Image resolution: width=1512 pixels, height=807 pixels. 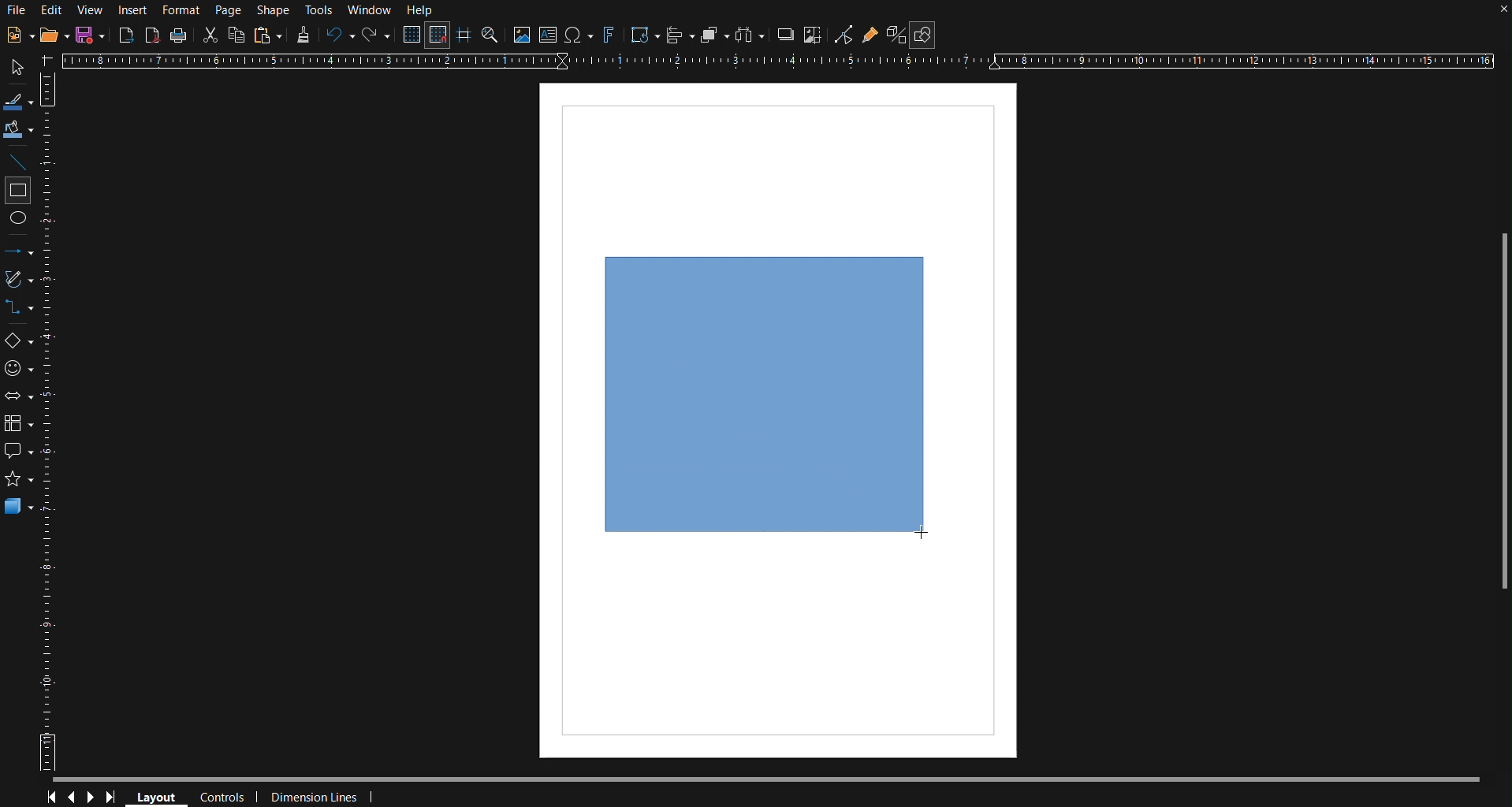 What do you see at coordinates (680, 35) in the screenshot?
I see `Align Objects` at bounding box center [680, 35].